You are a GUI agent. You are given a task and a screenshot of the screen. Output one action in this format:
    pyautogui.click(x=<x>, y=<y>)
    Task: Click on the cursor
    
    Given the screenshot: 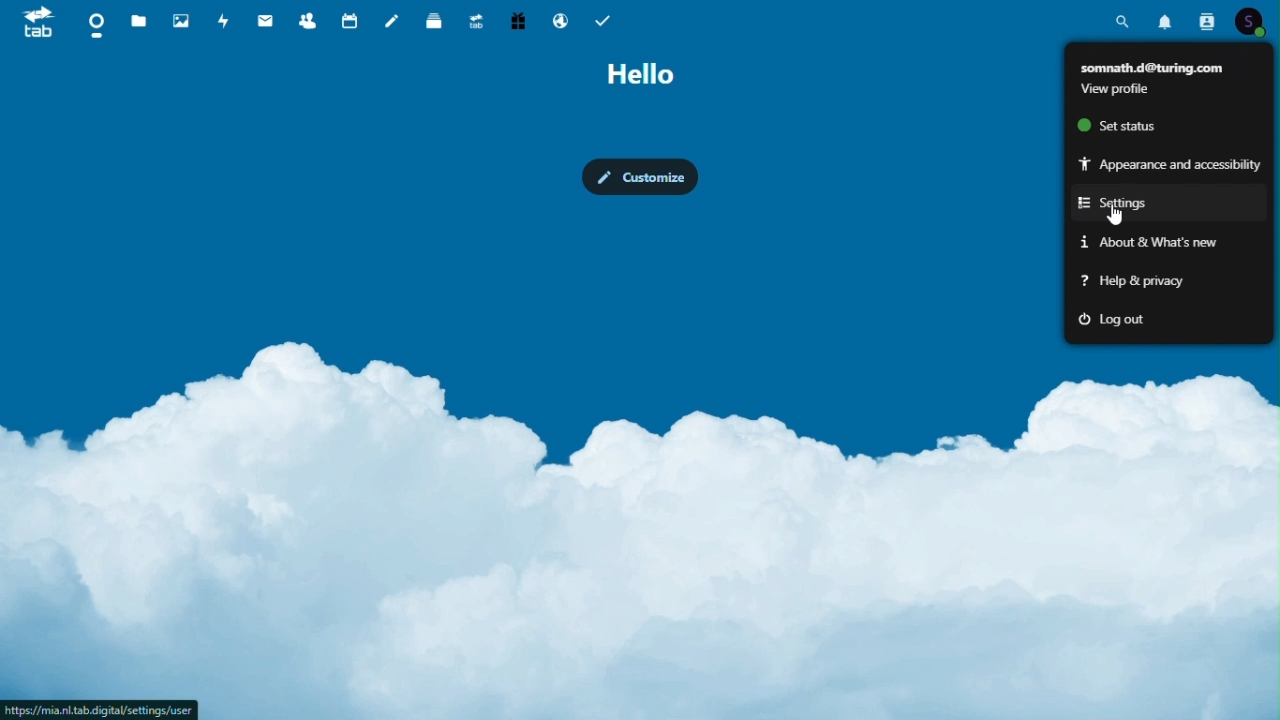 What is the action you would take?
    pyautogui.click(x=1116, y=217)
    